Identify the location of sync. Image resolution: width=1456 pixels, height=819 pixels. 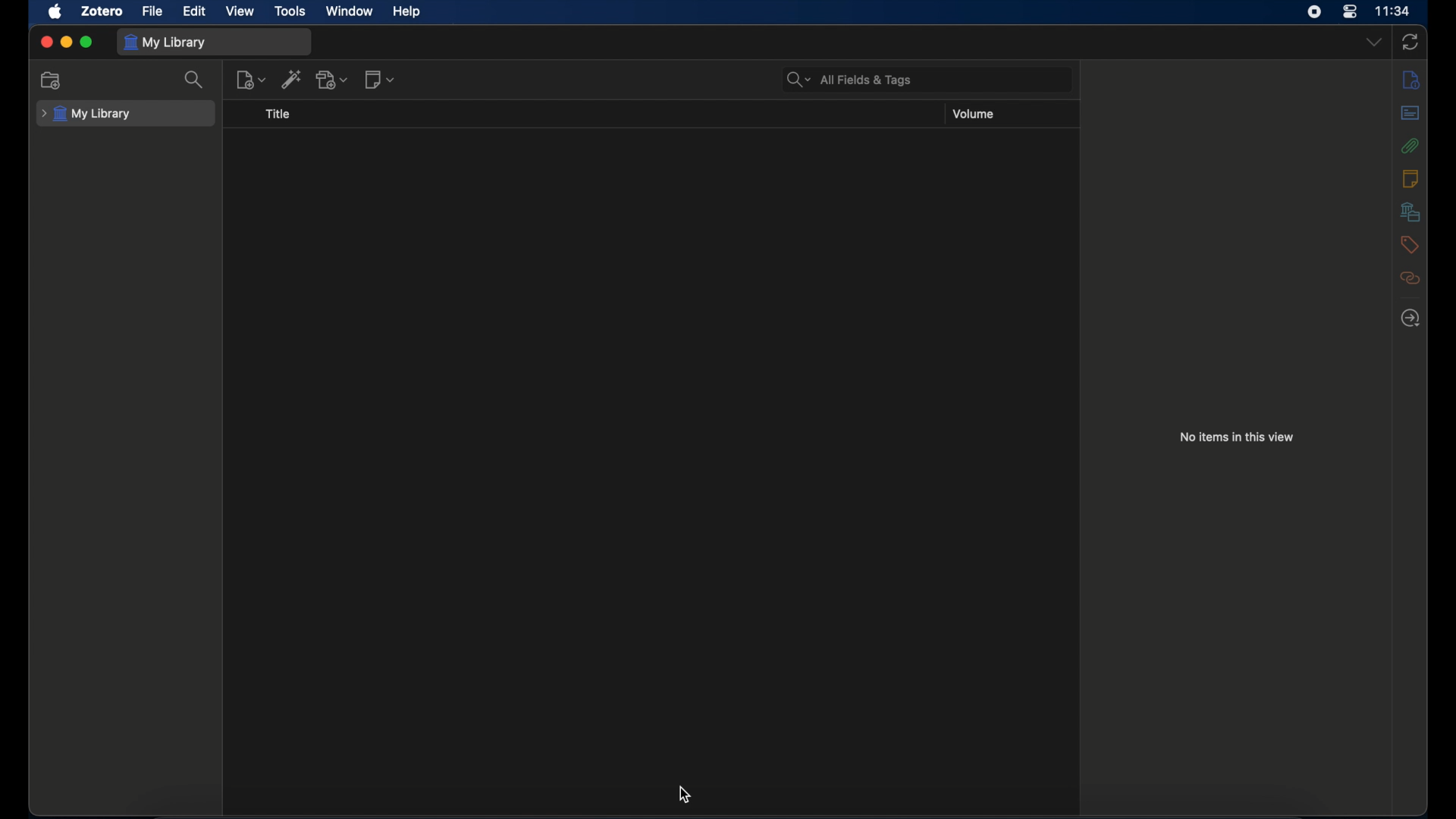
(1410, 42).